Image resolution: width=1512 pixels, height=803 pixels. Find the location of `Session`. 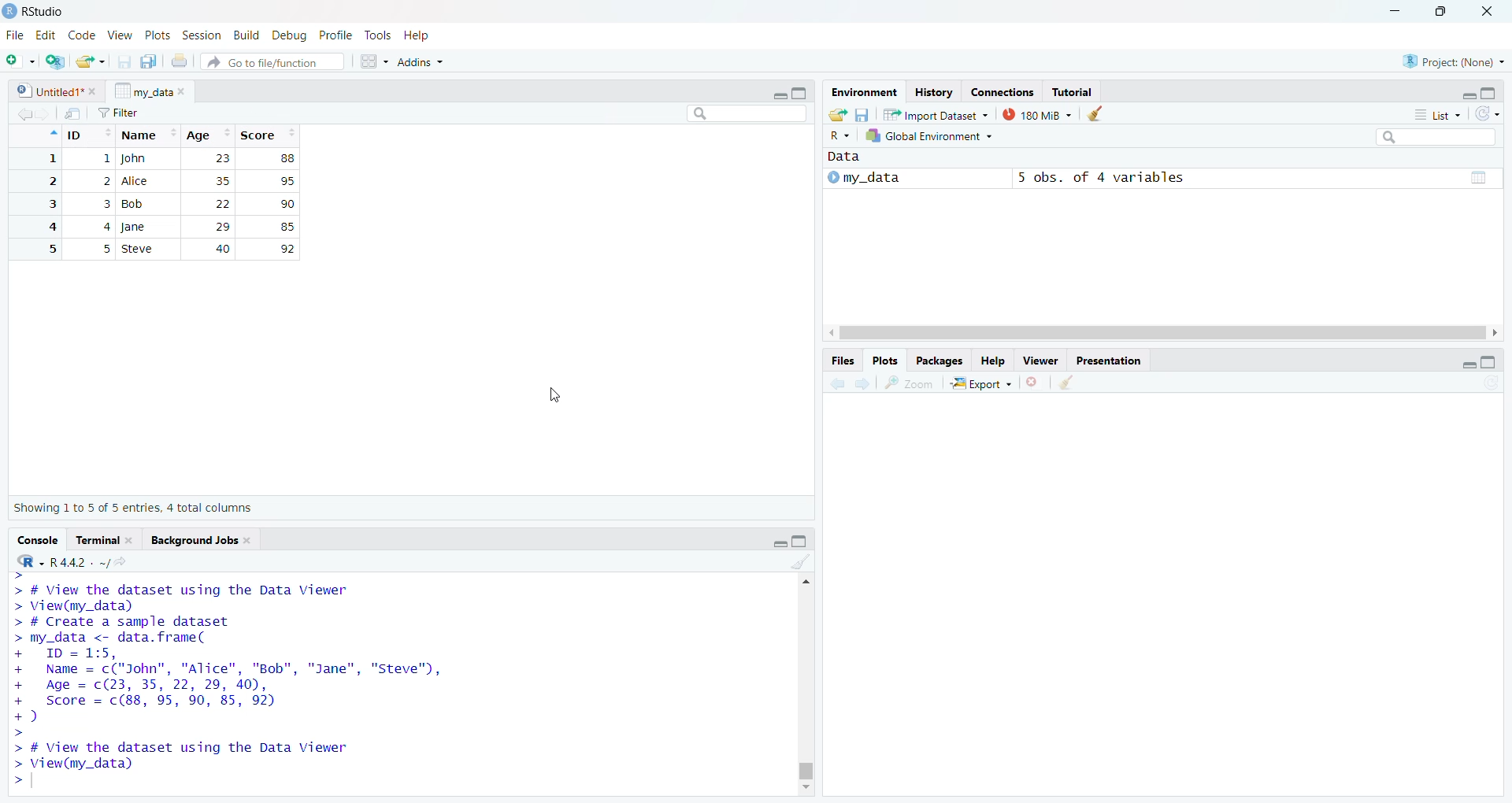

Session is located at coordinates (203, 36).